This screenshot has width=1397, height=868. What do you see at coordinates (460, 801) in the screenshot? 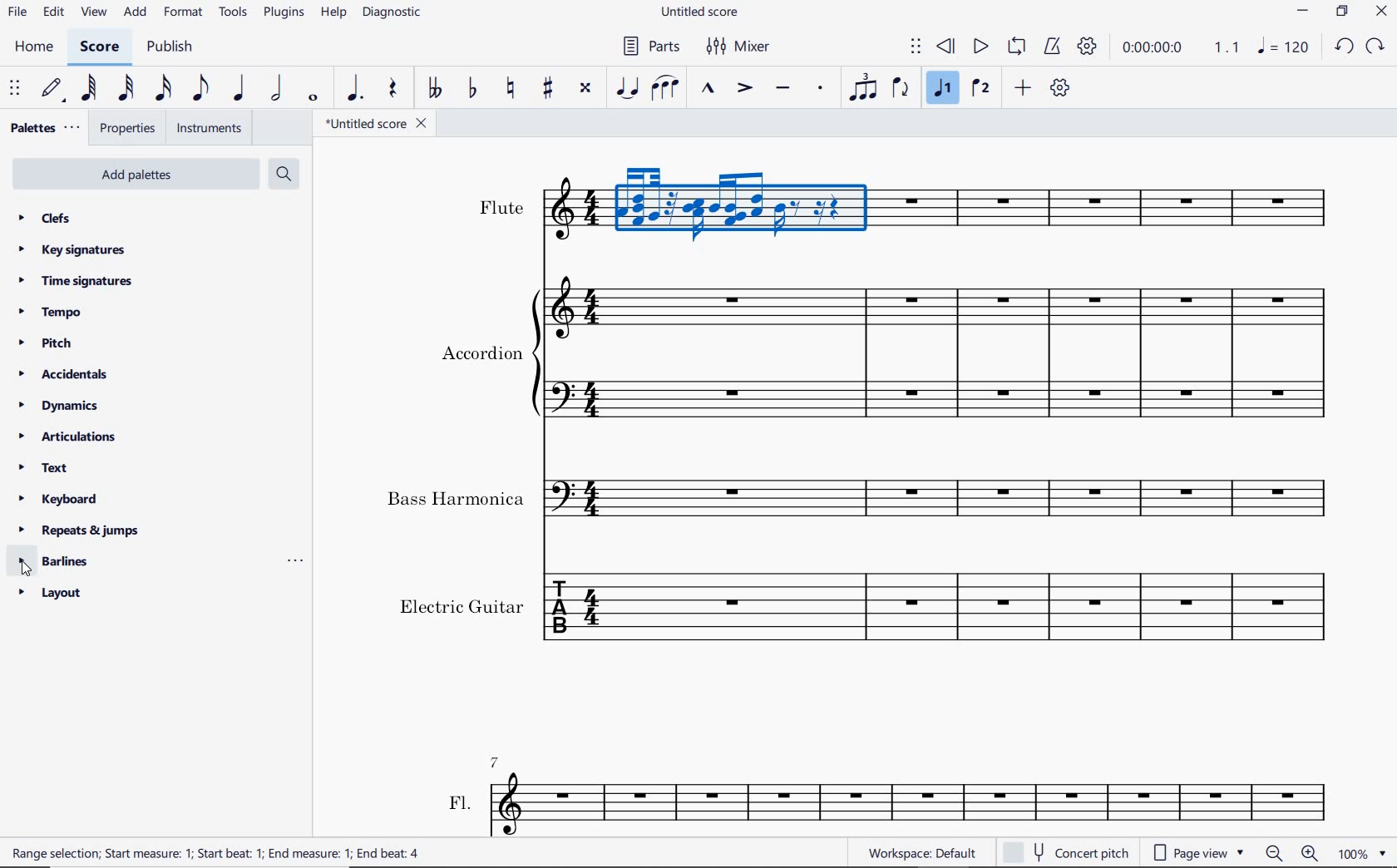
I see `text` at bounding box center [460, 801].